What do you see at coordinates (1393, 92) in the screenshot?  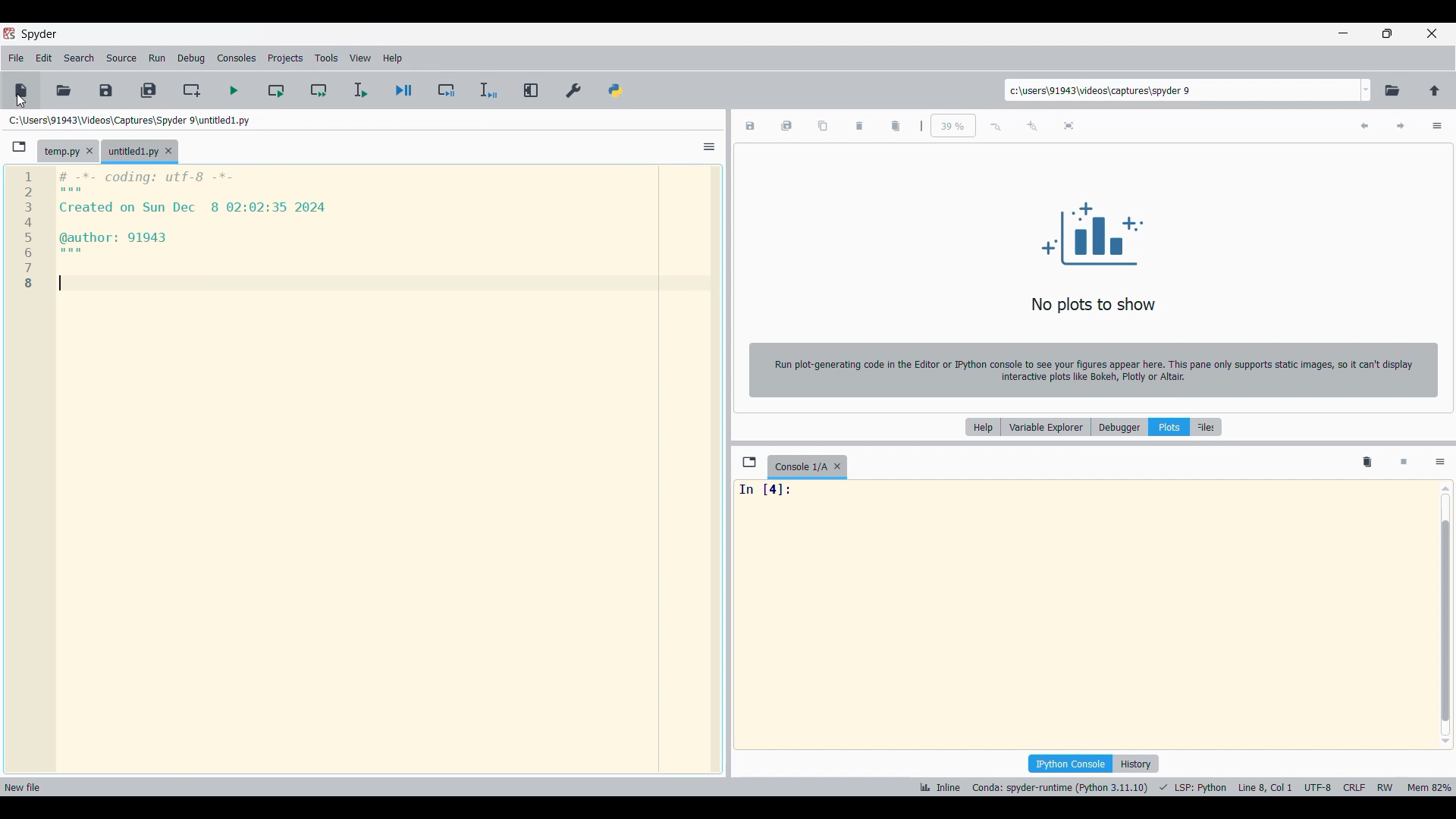 I see `Browse a working directory` at bounding box center [1393, 92].